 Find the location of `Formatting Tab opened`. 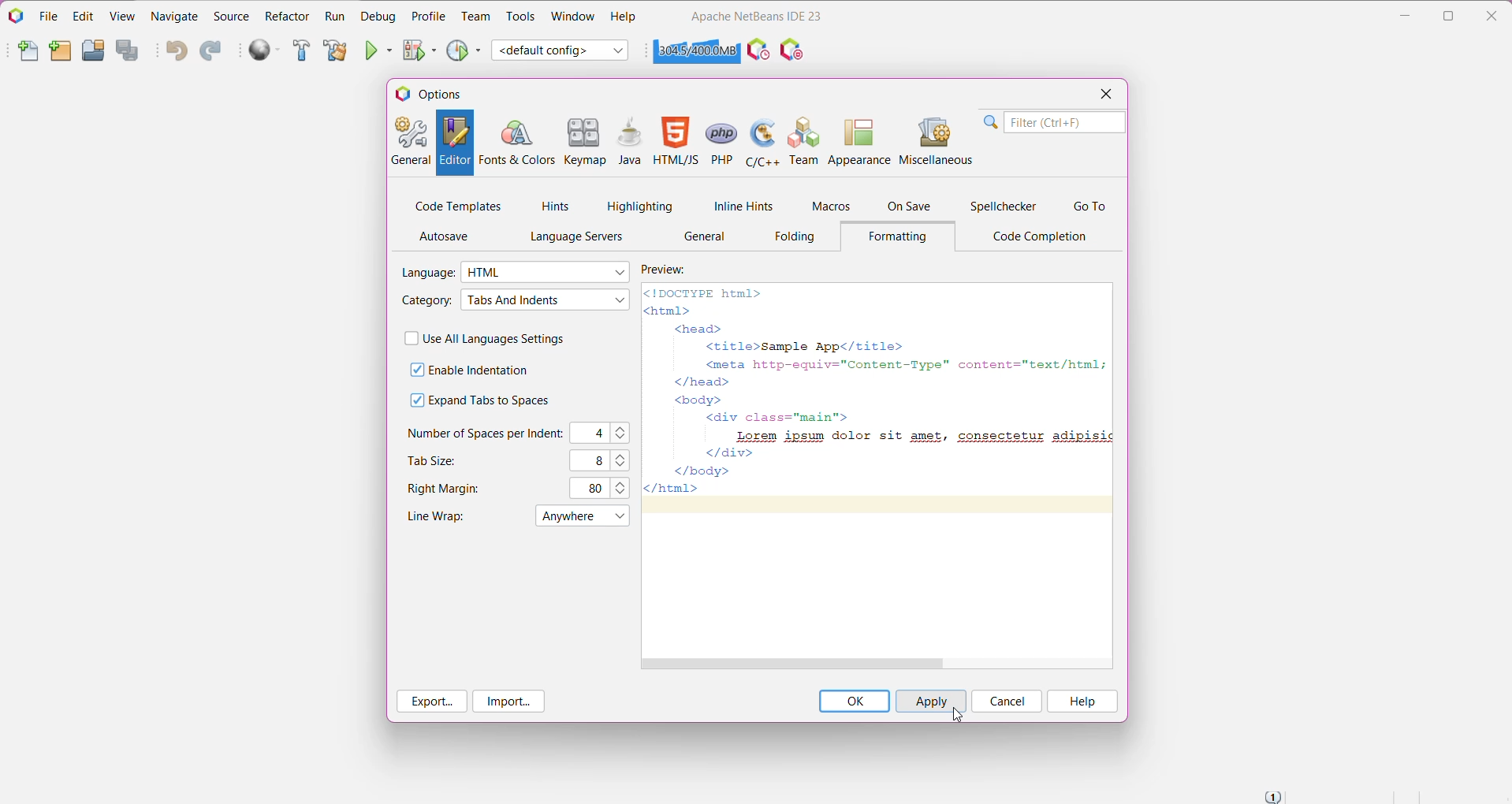

Formatting Tab opened is located at coordinates (903, 237).